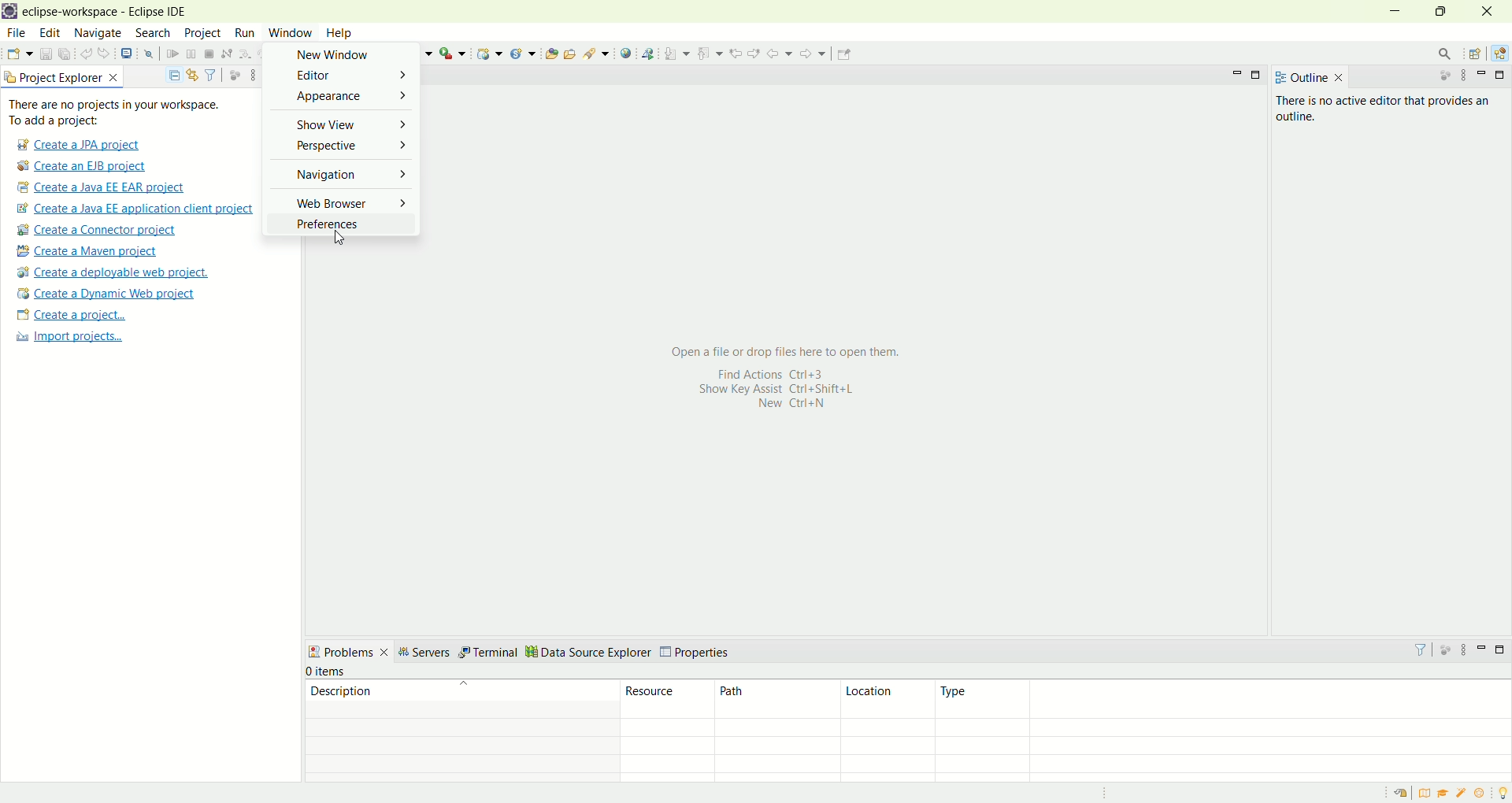 This screenshot has height=803, width=1512. I want to click on tutorials, so click(1443, 794).